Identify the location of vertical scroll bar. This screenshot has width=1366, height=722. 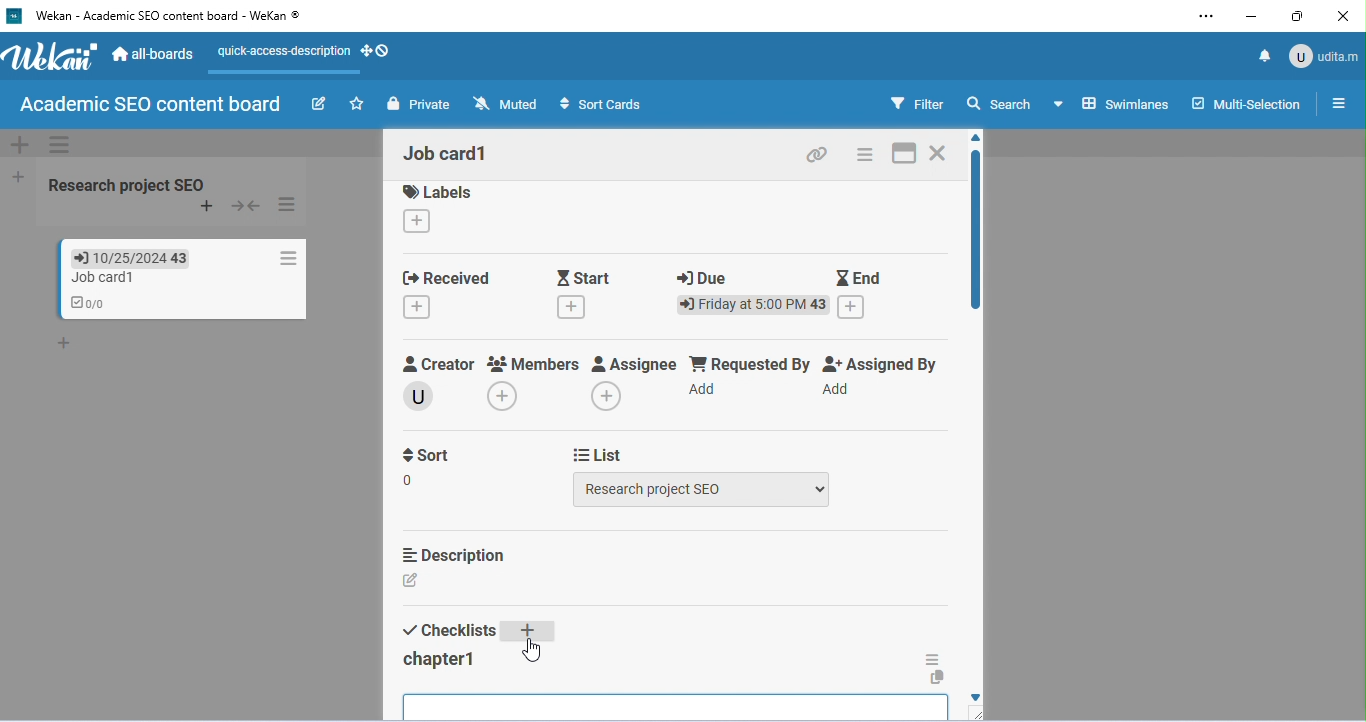
(973, 238).